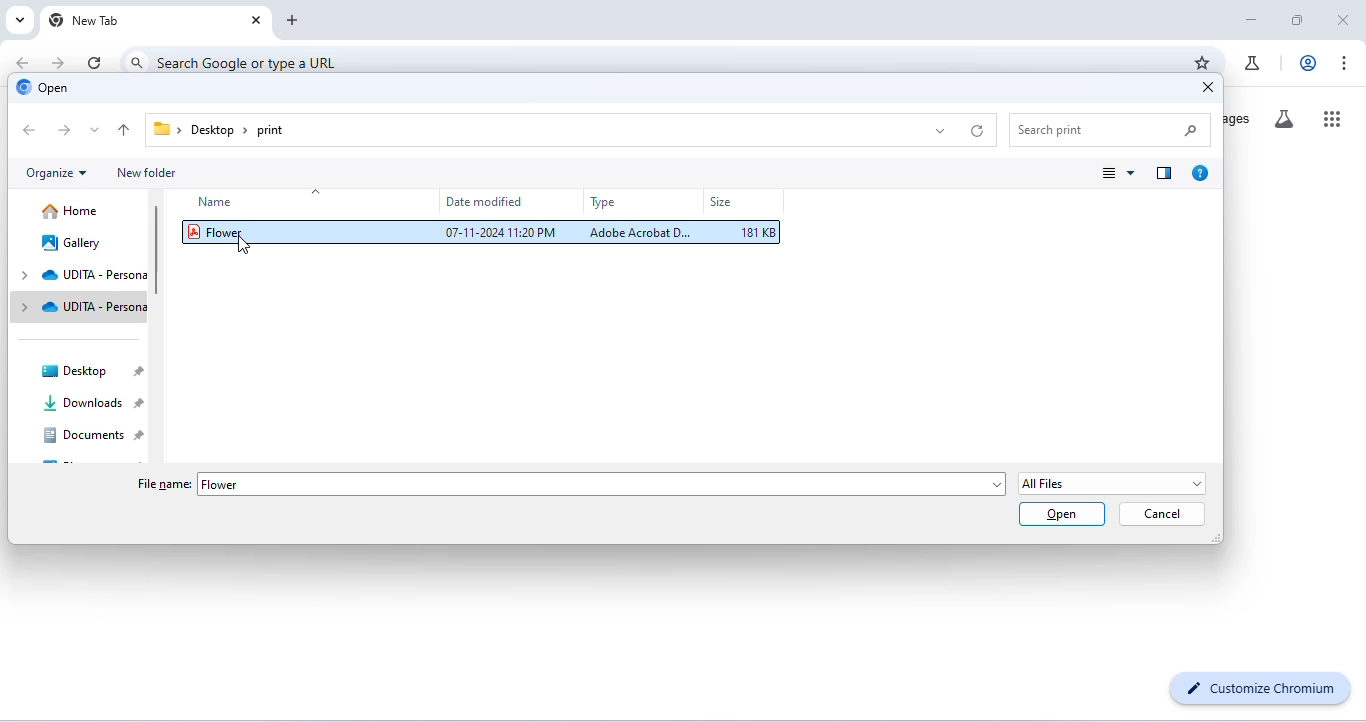 This screenshot has height=722, width=1366. Describe the element at coordinates (943, 132) in the screenshot. I see `drop down` at that location.